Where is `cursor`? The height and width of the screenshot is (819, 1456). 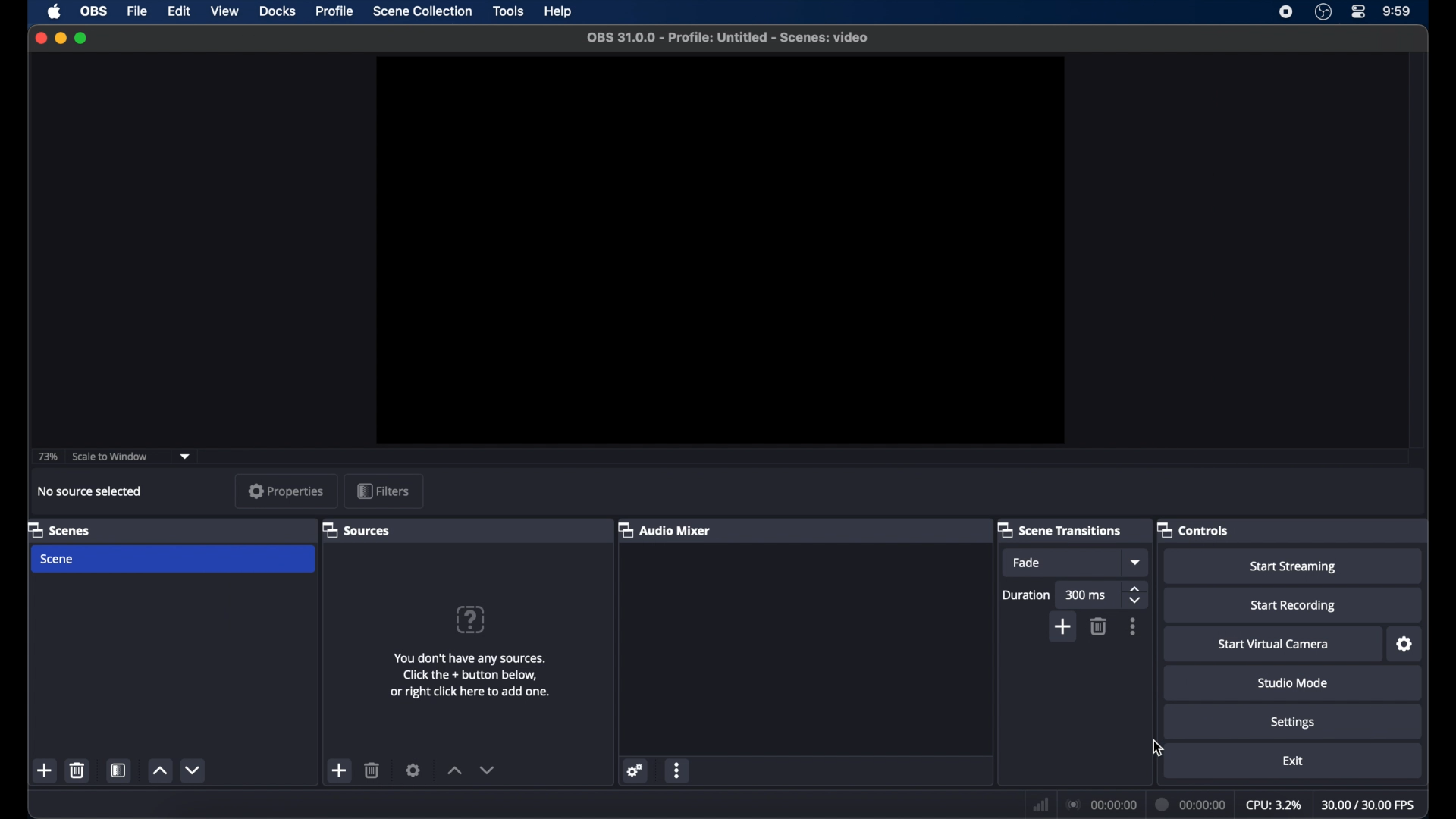 cursor is located at coordinates (1159, 749).